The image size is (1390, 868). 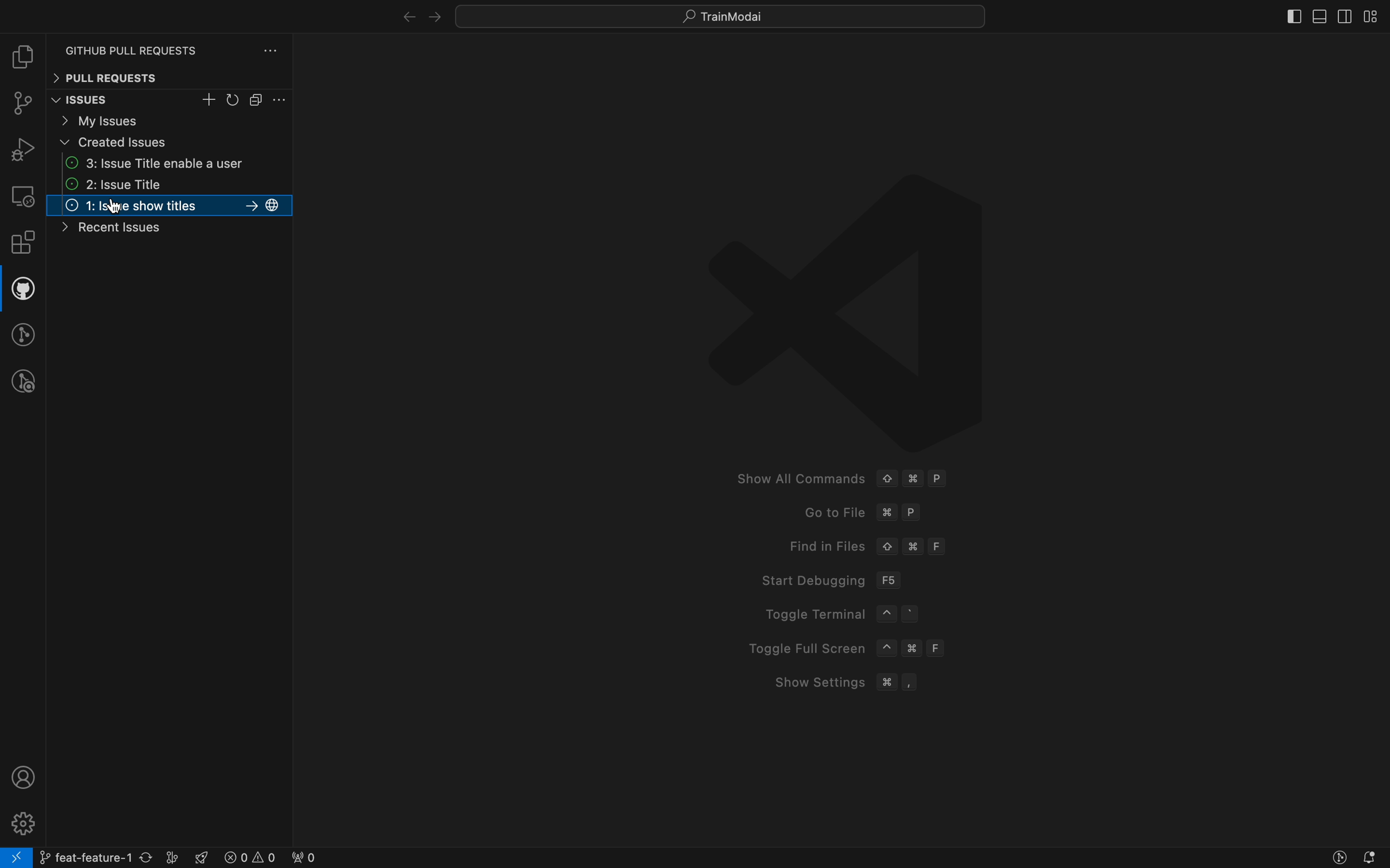 What do you see at coordinates (1278, 15) in the screenshot?
I see `toggle side bar` at bounding box center [1278, 15].